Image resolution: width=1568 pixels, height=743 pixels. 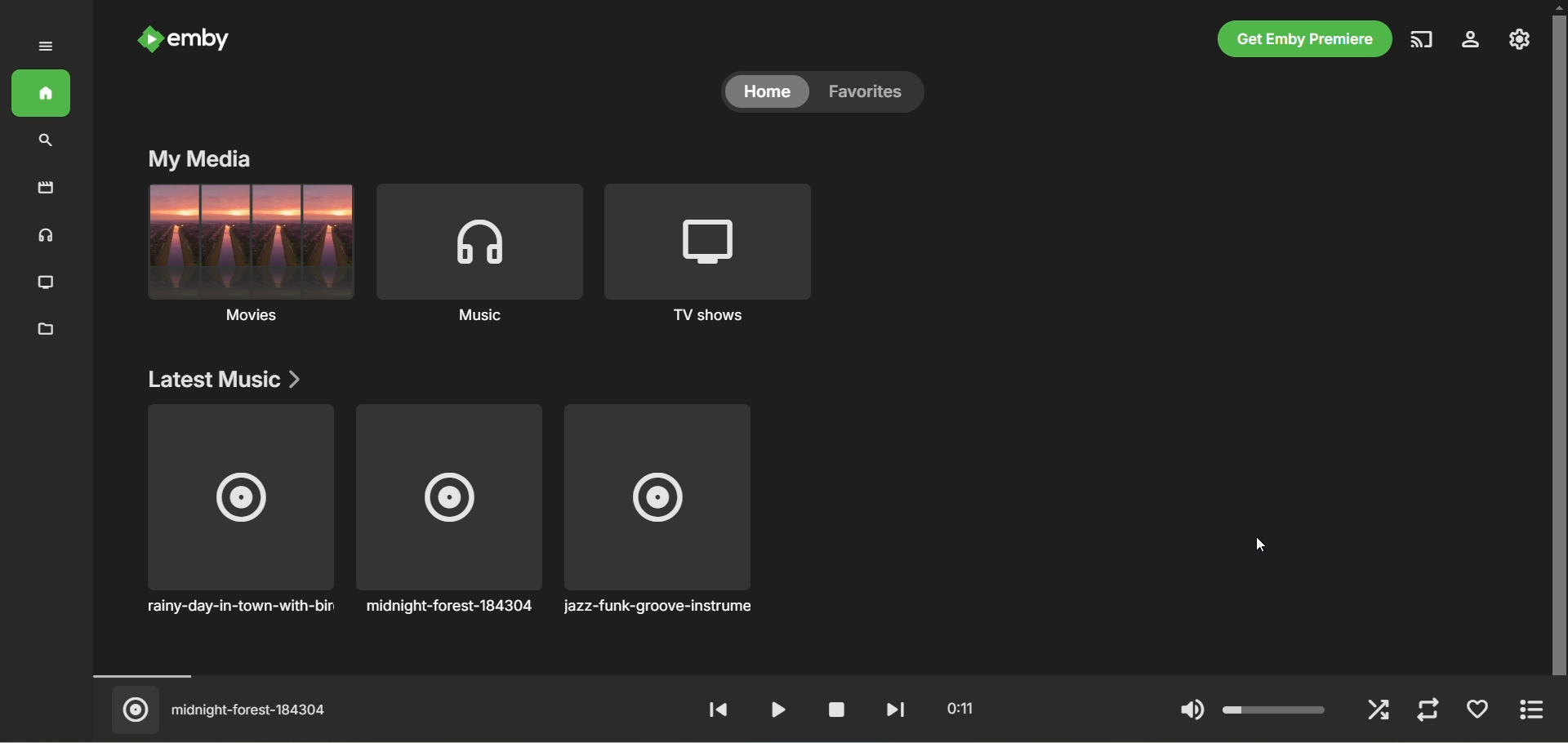 I want to click on settings, so click(x=1472, y=40).